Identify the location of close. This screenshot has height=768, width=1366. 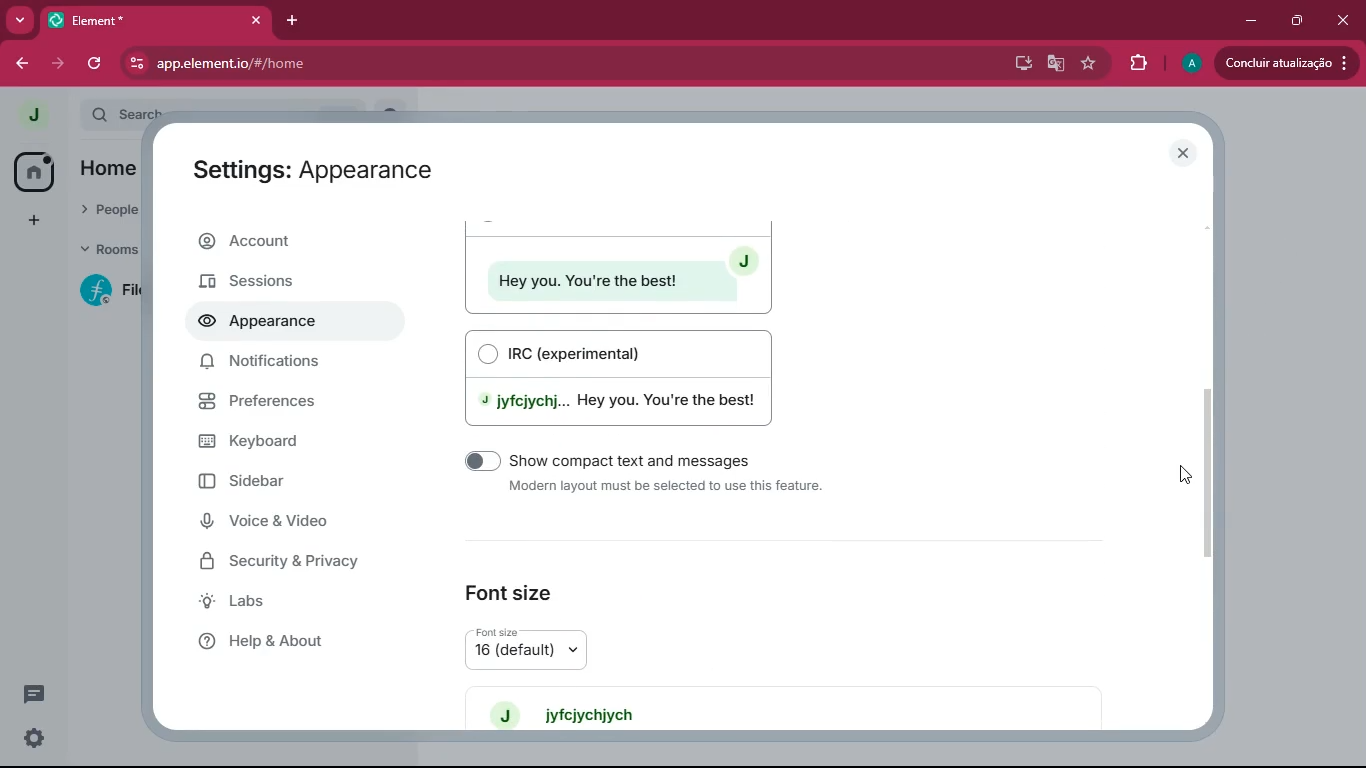
(1188, 154).